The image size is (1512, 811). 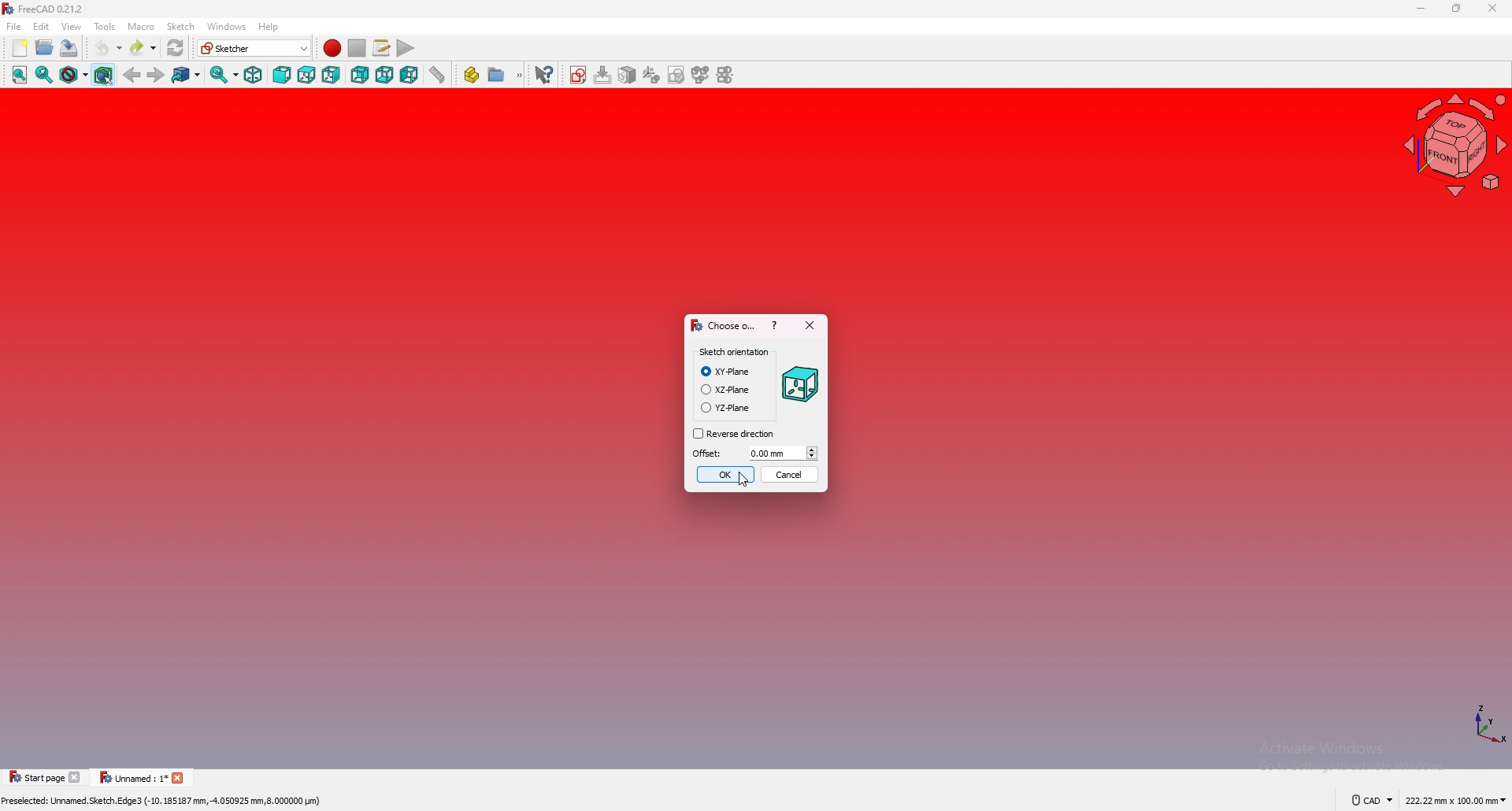 What do you see at coordinates (406, 48) in the screenshot?
I see `execute macro` at bounding box center [406, 48].